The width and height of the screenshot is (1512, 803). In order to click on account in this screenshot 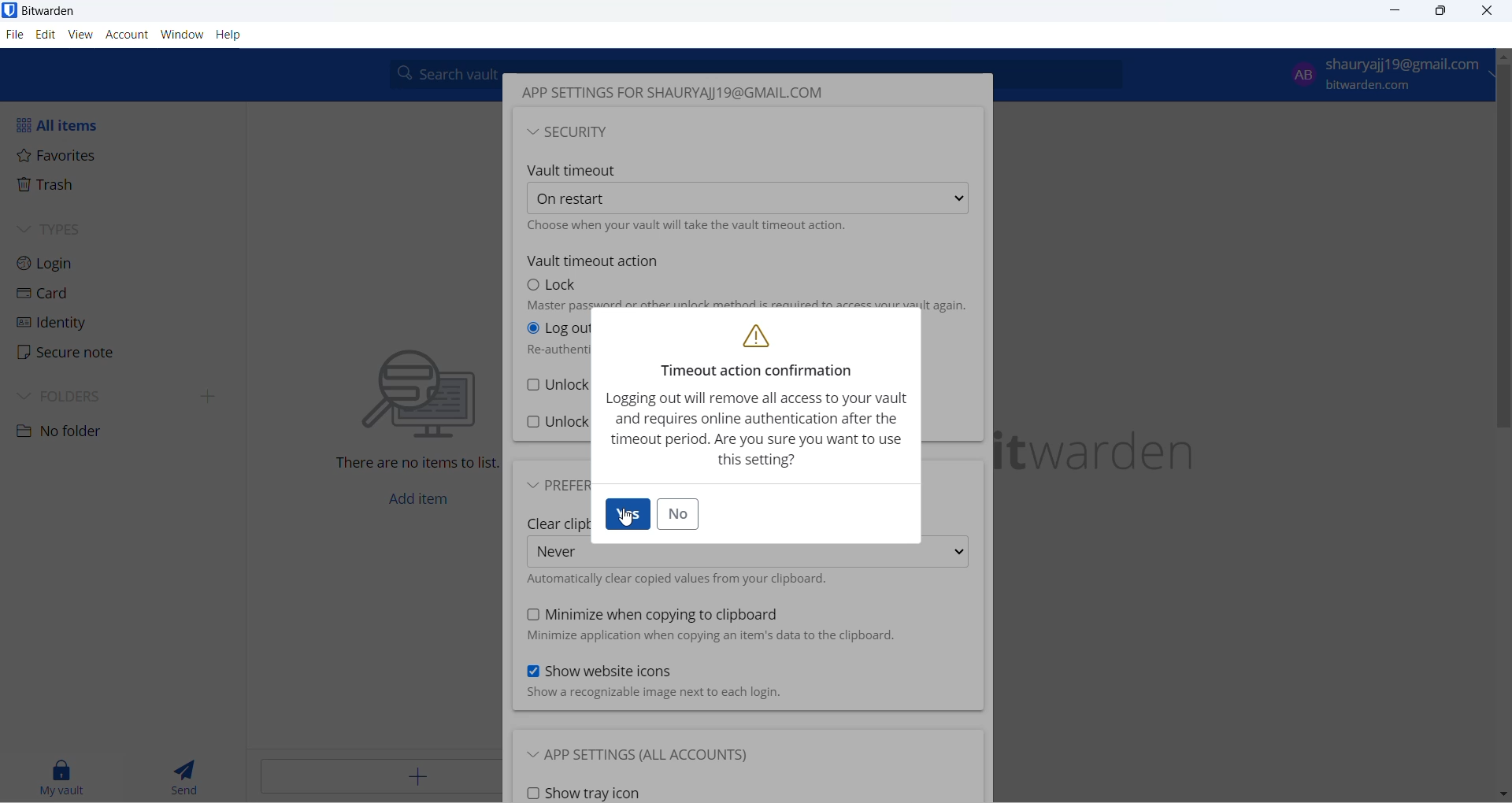, I will do `click(127, 35)`.